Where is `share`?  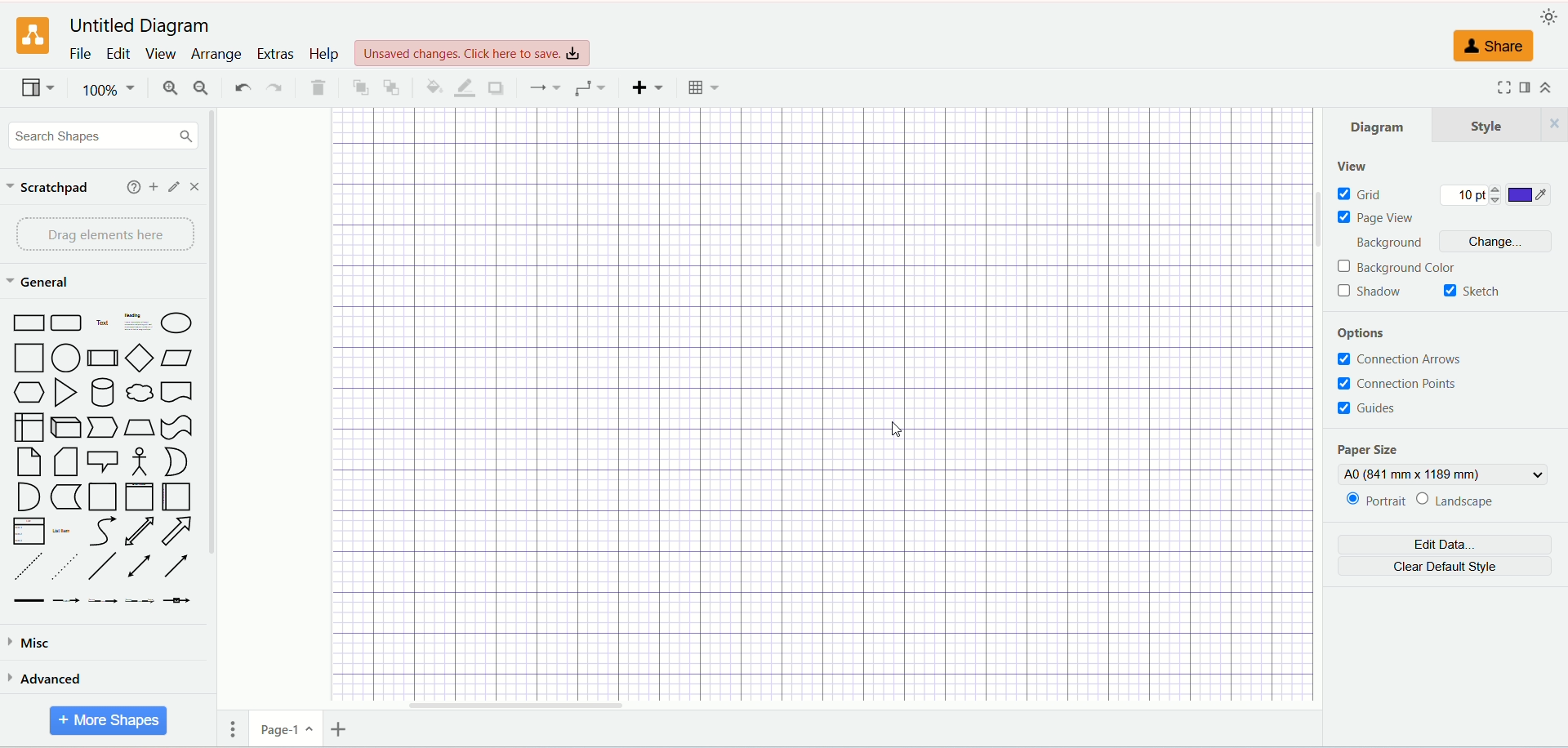
share is located at coordinates (1496, 47).